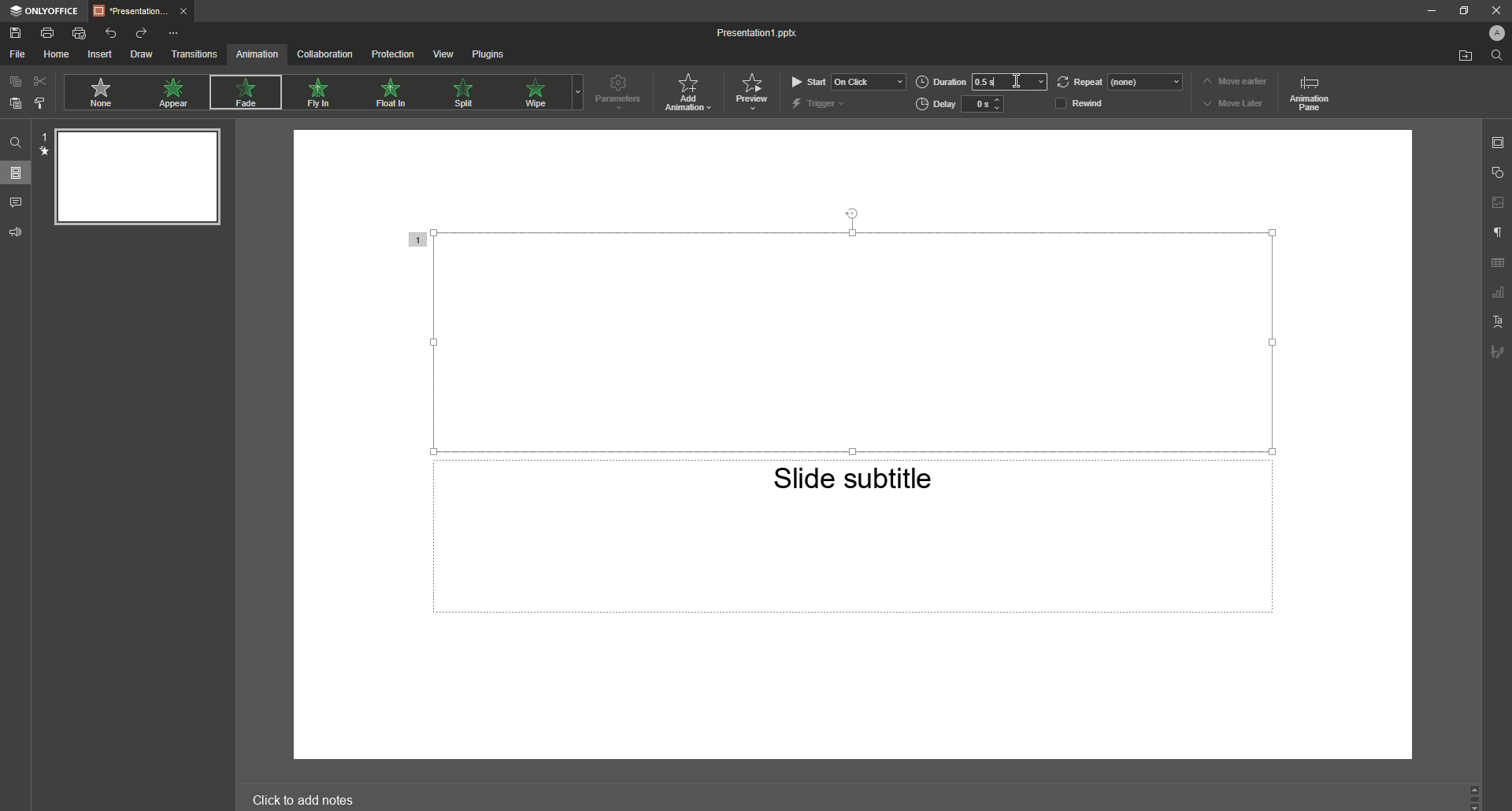 This screenshot has height=811, width=1512. What do you see at coordinates (195, 54) in the screenshot?
I see `Transitions` at bounding box center [195, 54].